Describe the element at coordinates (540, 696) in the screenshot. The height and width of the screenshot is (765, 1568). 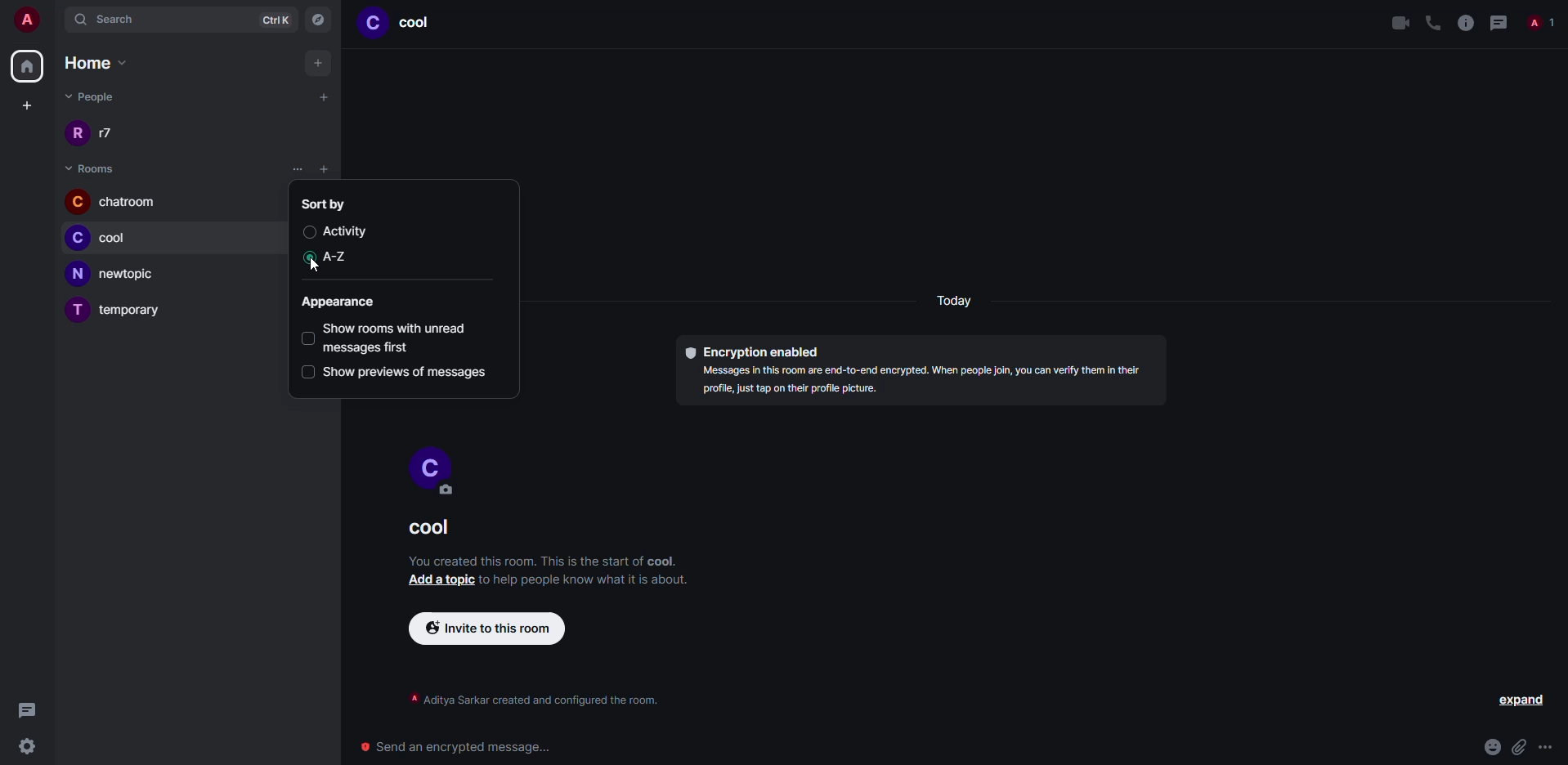
I see `info` at that location.